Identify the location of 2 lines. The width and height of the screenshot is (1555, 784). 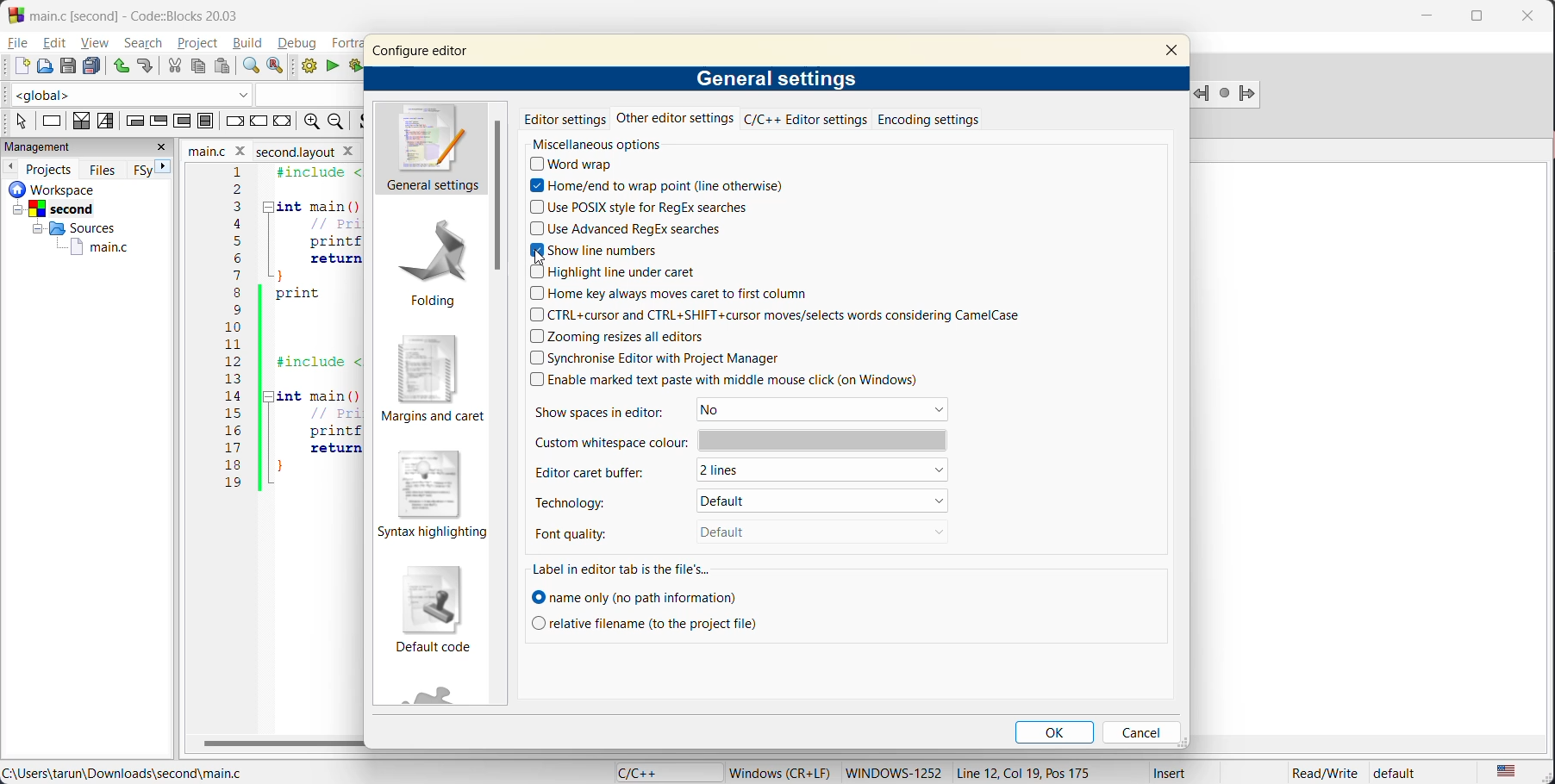
(828, 473).